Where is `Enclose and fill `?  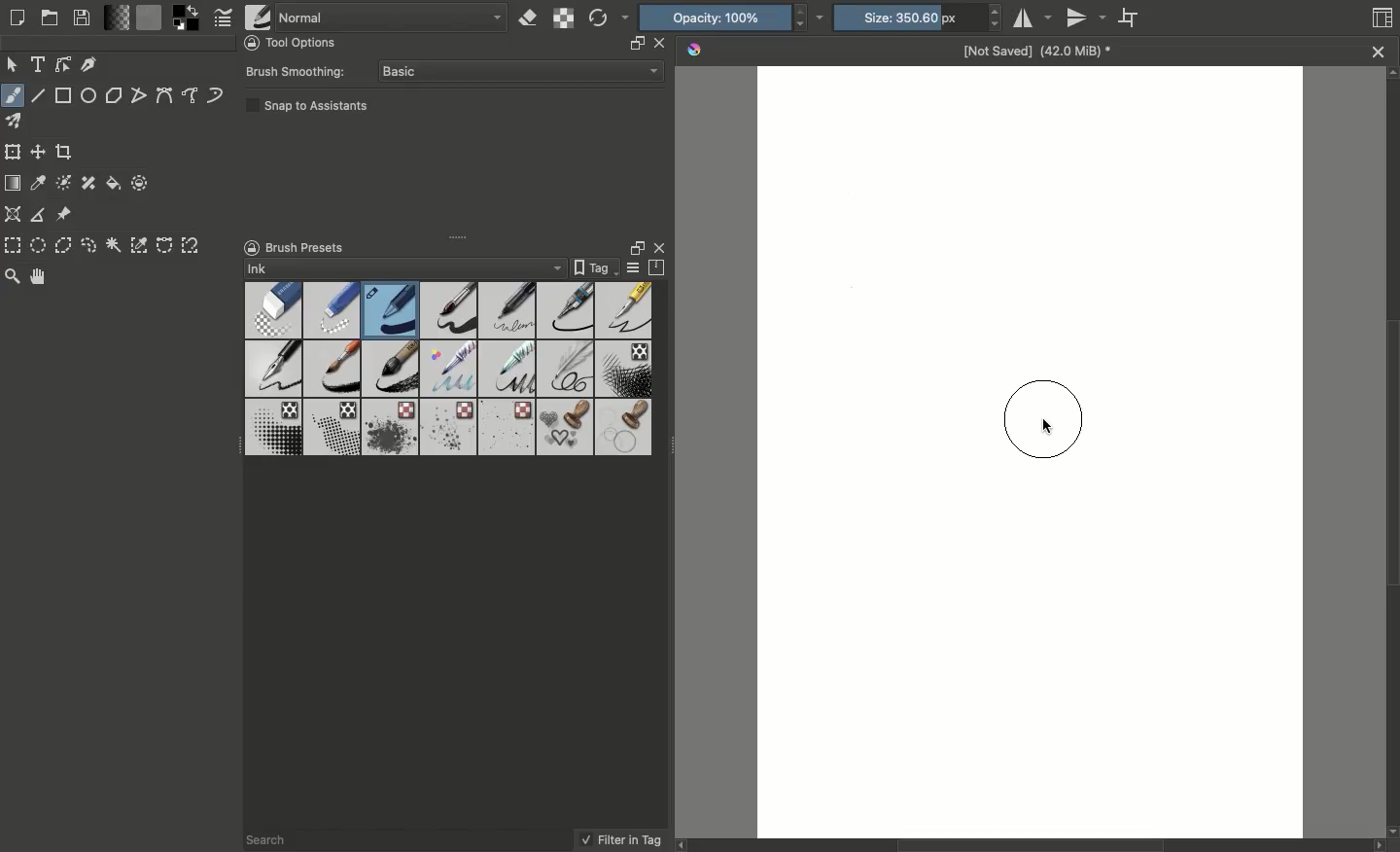
Enclose and fill  is located at coordinates (137, 182).